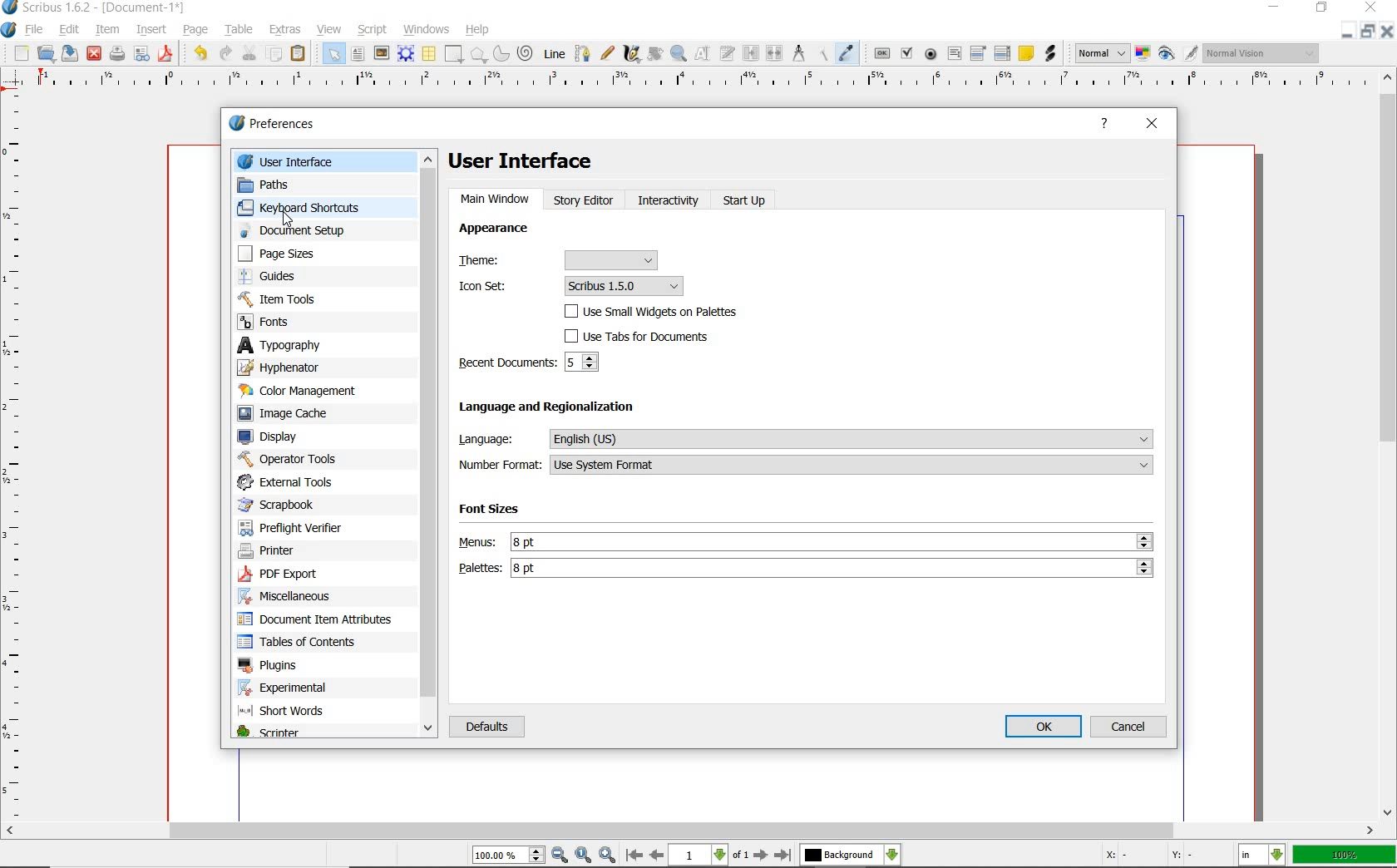 The height and width of the screenshot is (868, 1397). I want to click on text frame, so click(358, 53).